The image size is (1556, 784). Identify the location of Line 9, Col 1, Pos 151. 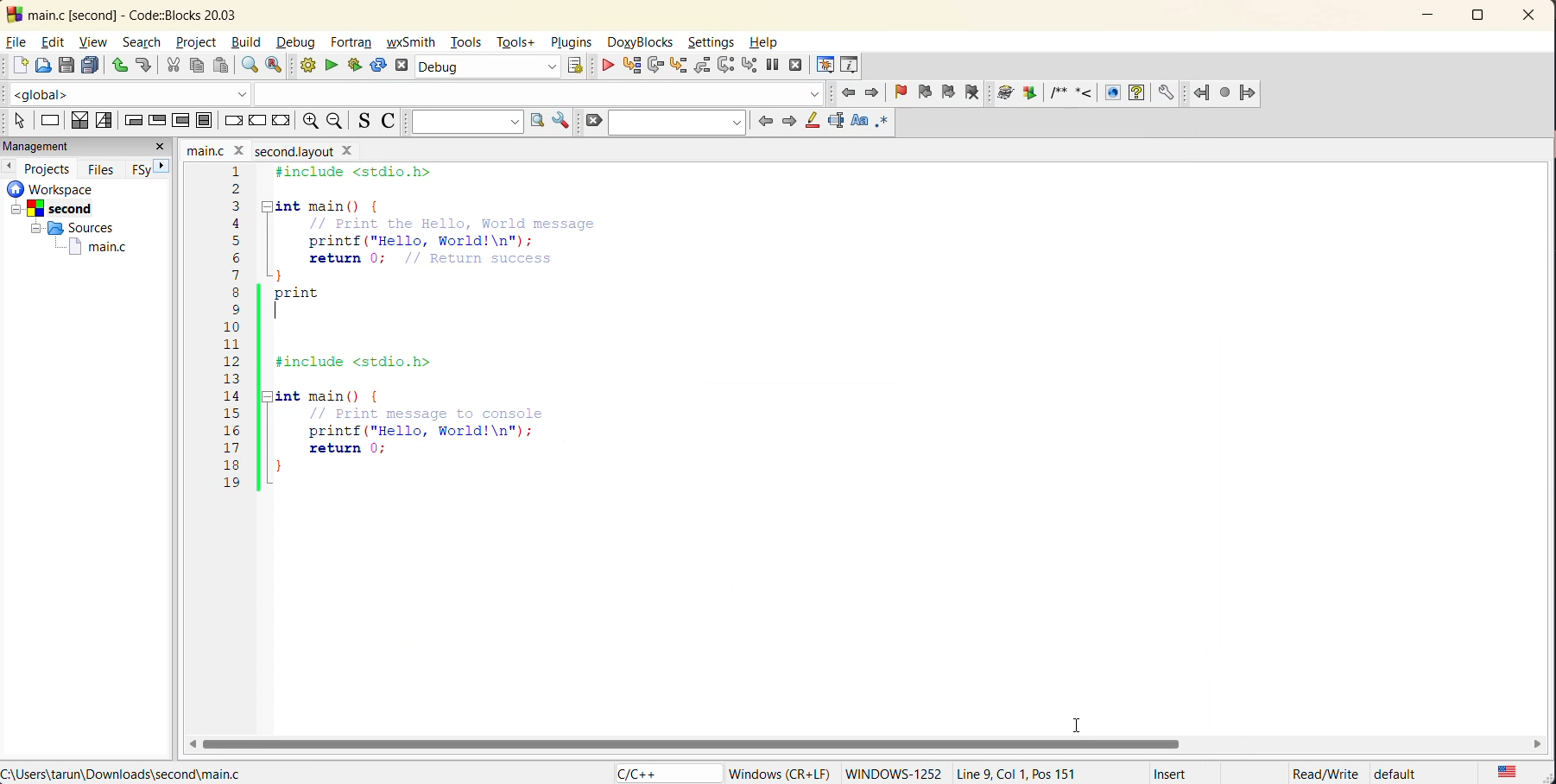
(1032, 769).